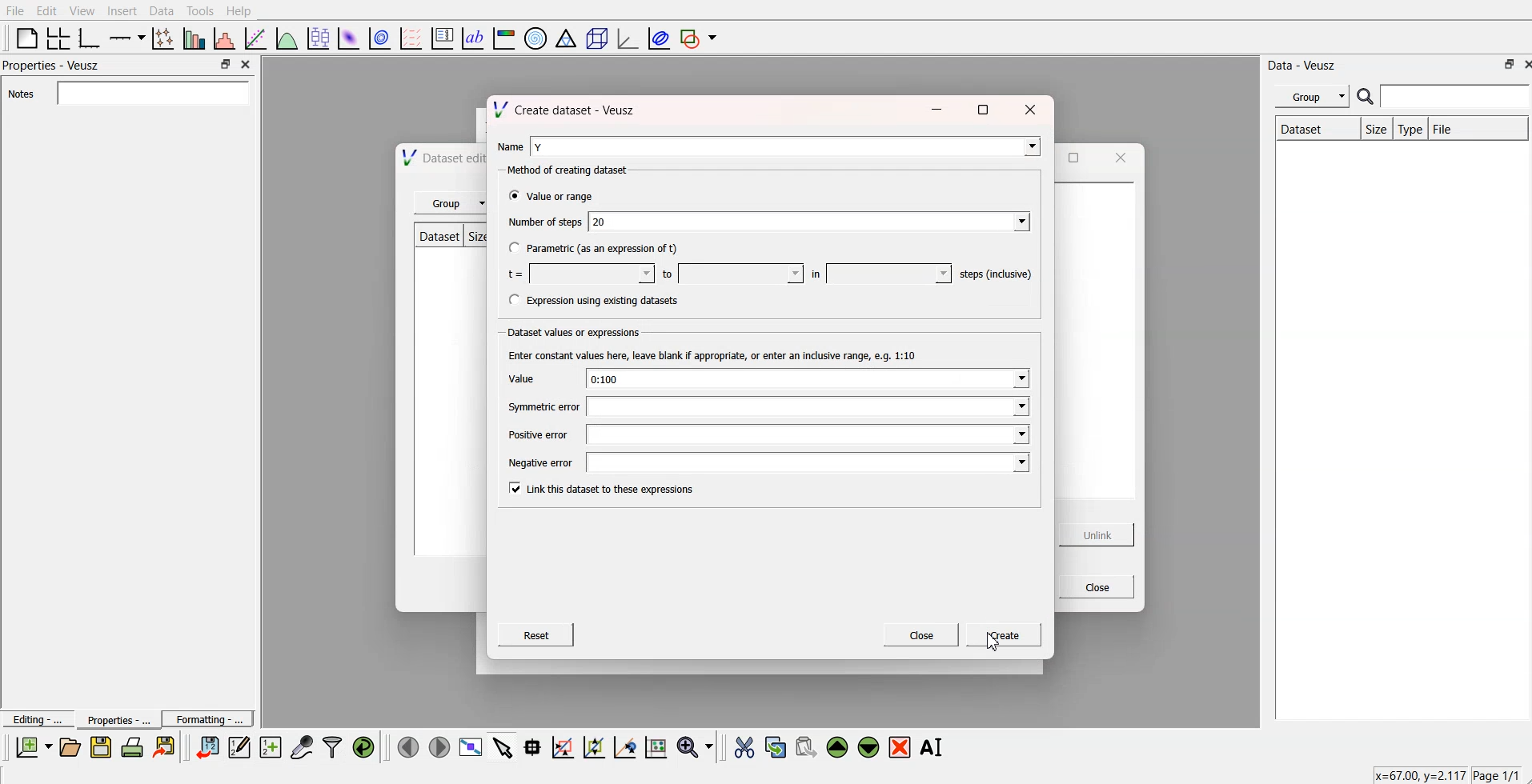  Describe the element at coordinates (406, 746) in the screenshot. I see `Move to previous page` at that location.